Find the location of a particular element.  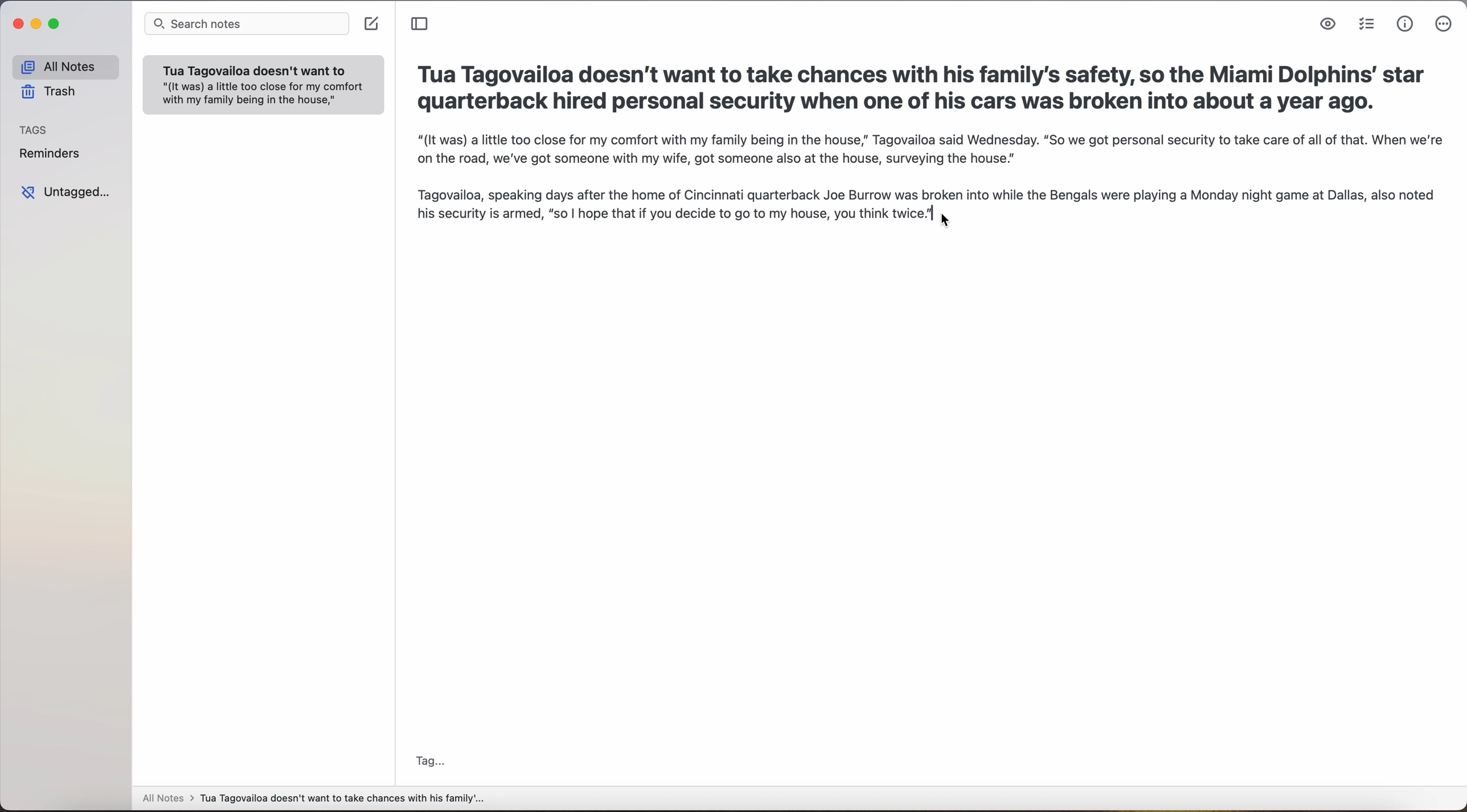

check list is located at coordinates (1367, 26).